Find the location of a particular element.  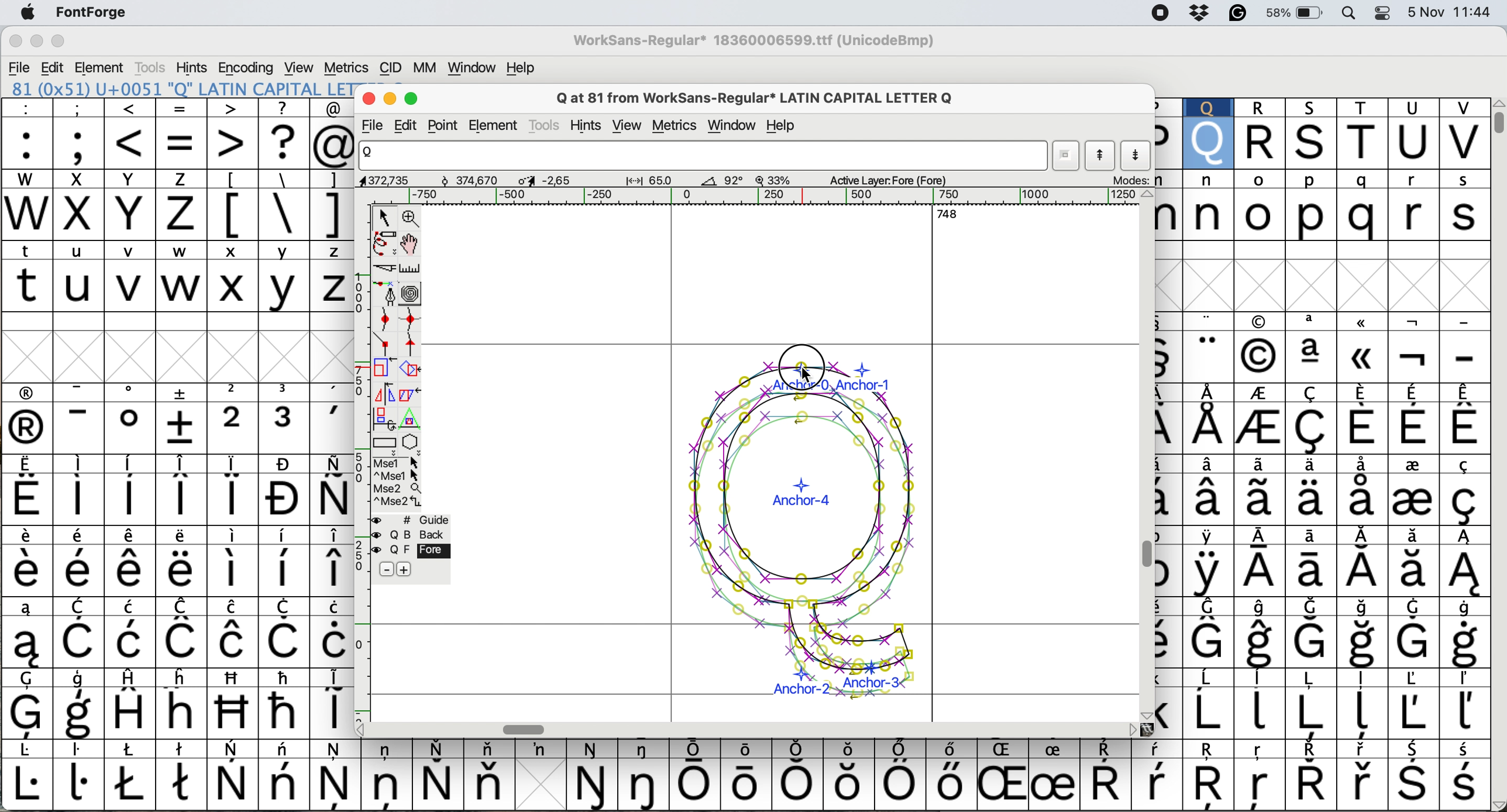

perform a perspective transformation on selection is located at coordinates (413, 419).